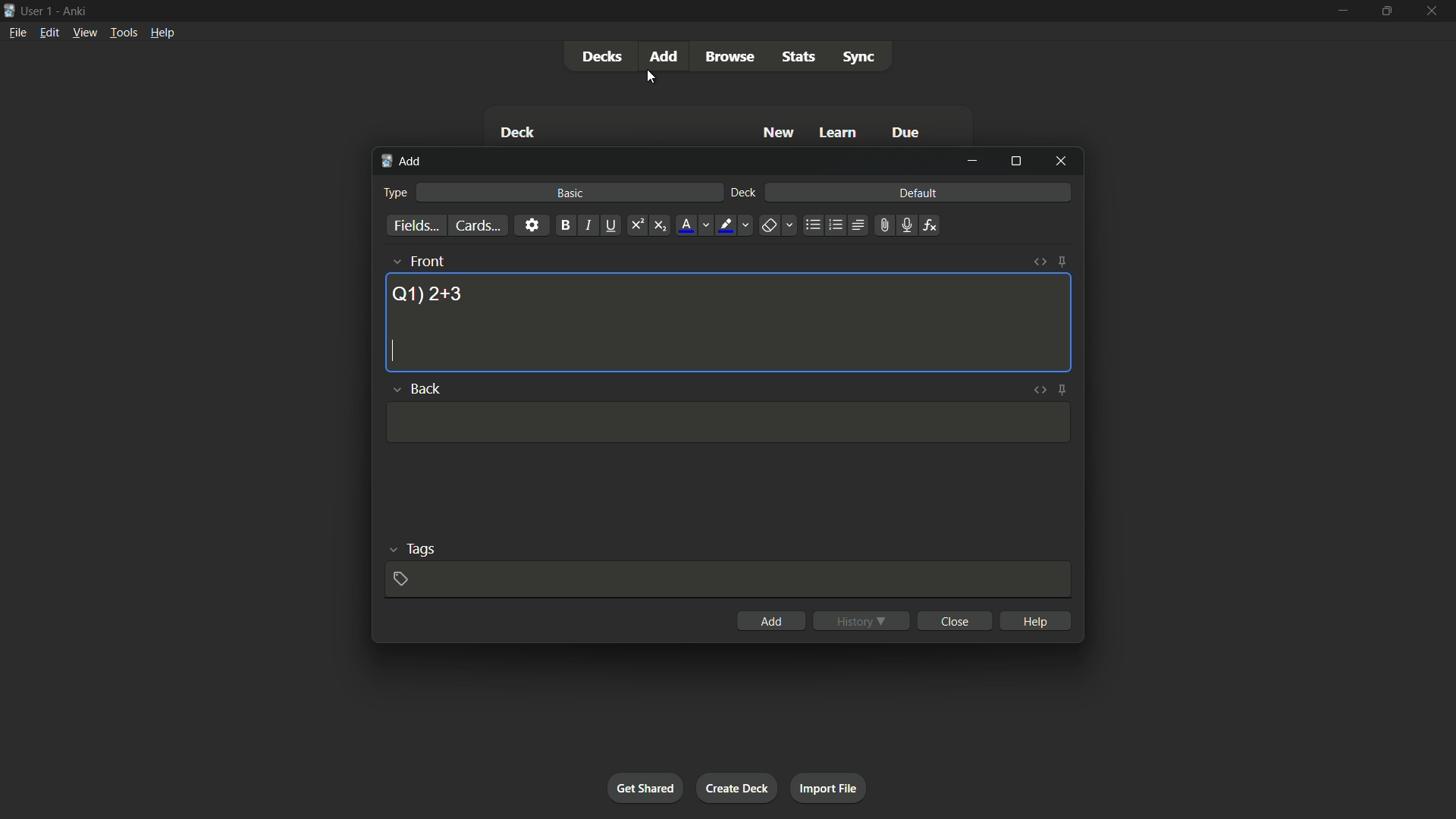  I want to click on subscript, so click(660, 226).